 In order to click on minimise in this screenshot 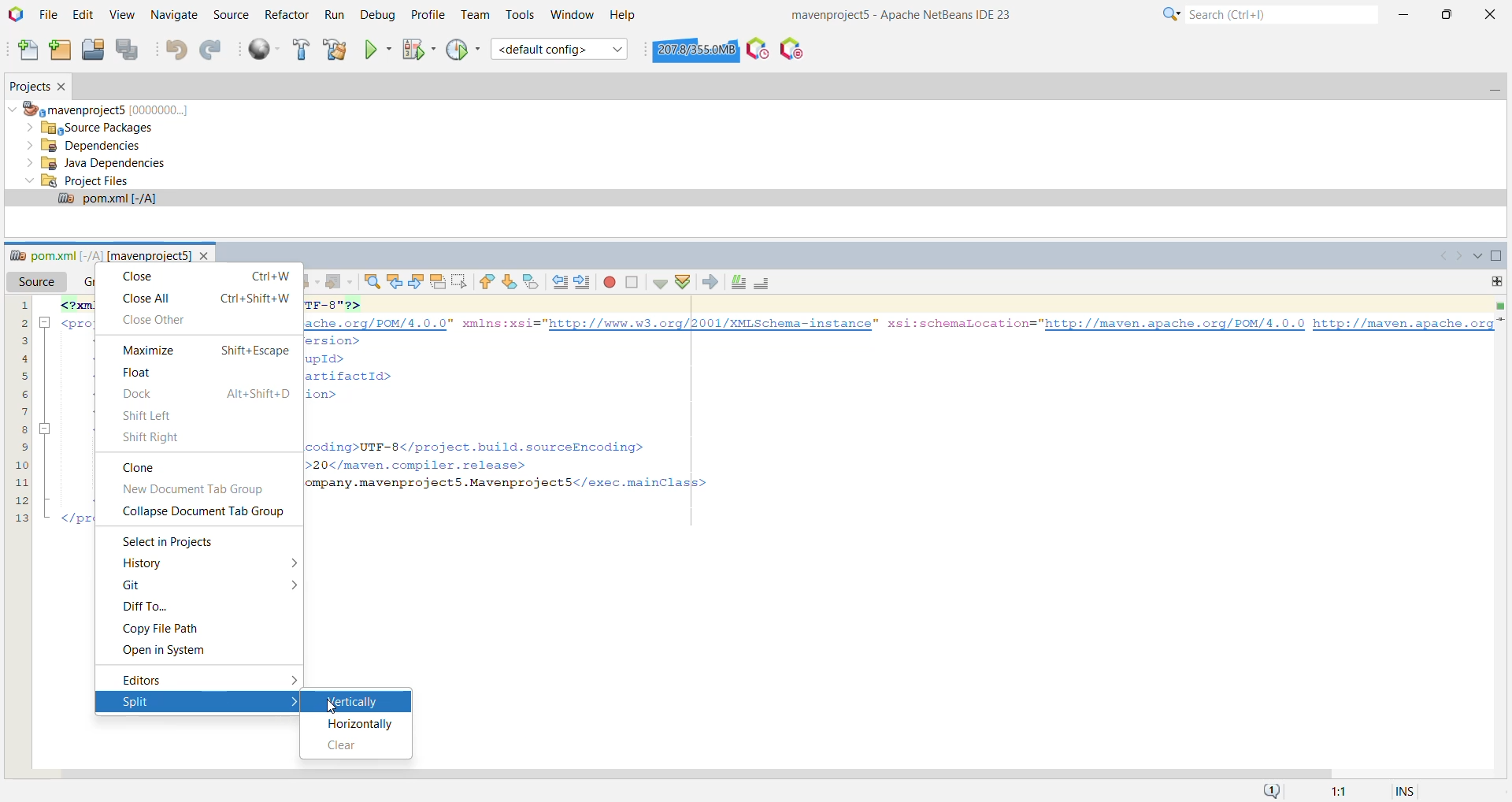, I will do `click(47, 428)`.